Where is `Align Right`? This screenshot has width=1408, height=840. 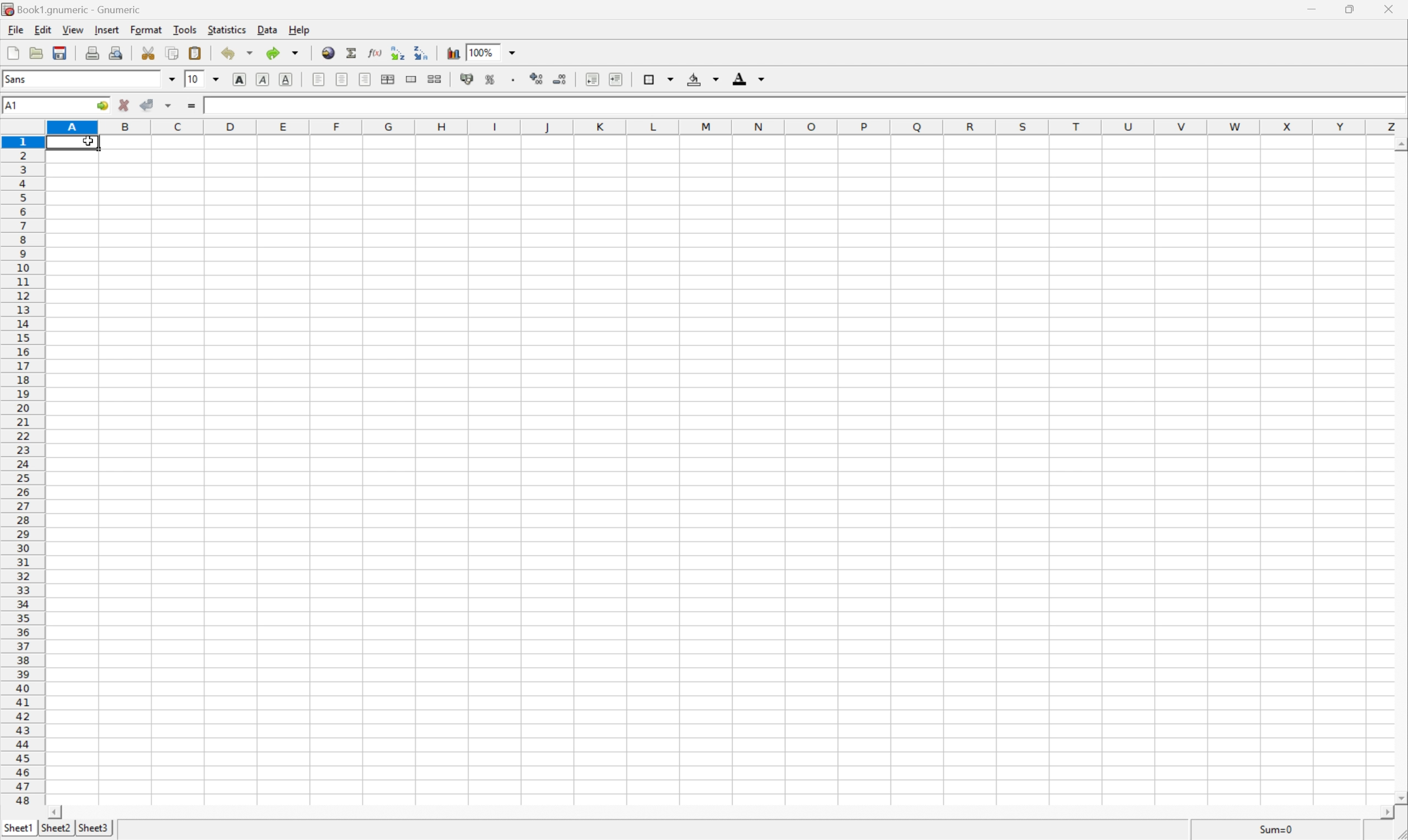 Align Right is located at coordinates (366, 79).